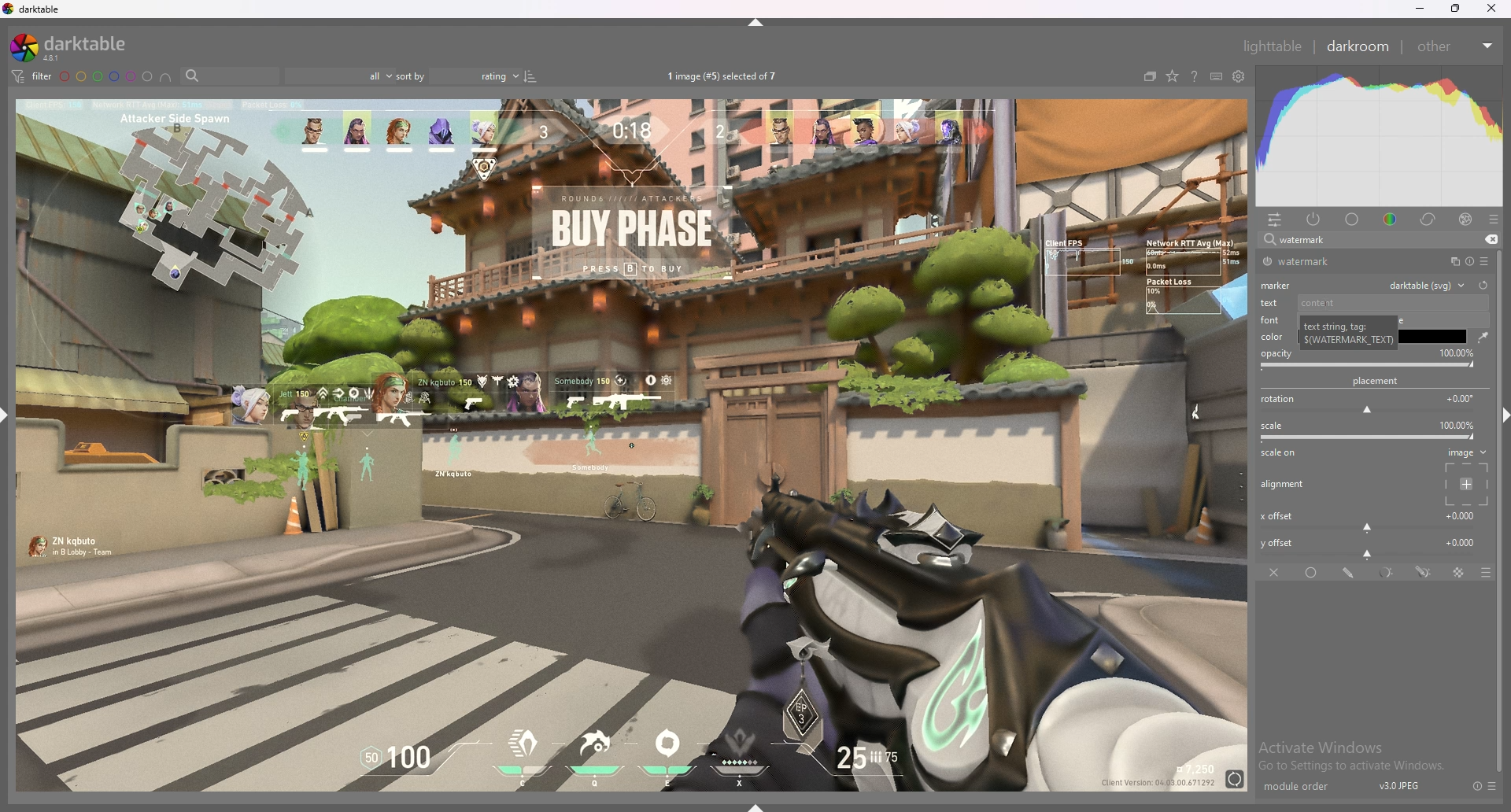  What do you see at coordinates (1454, 46) in the screenshot?
I see `other` at bounding box center [1454, 46].